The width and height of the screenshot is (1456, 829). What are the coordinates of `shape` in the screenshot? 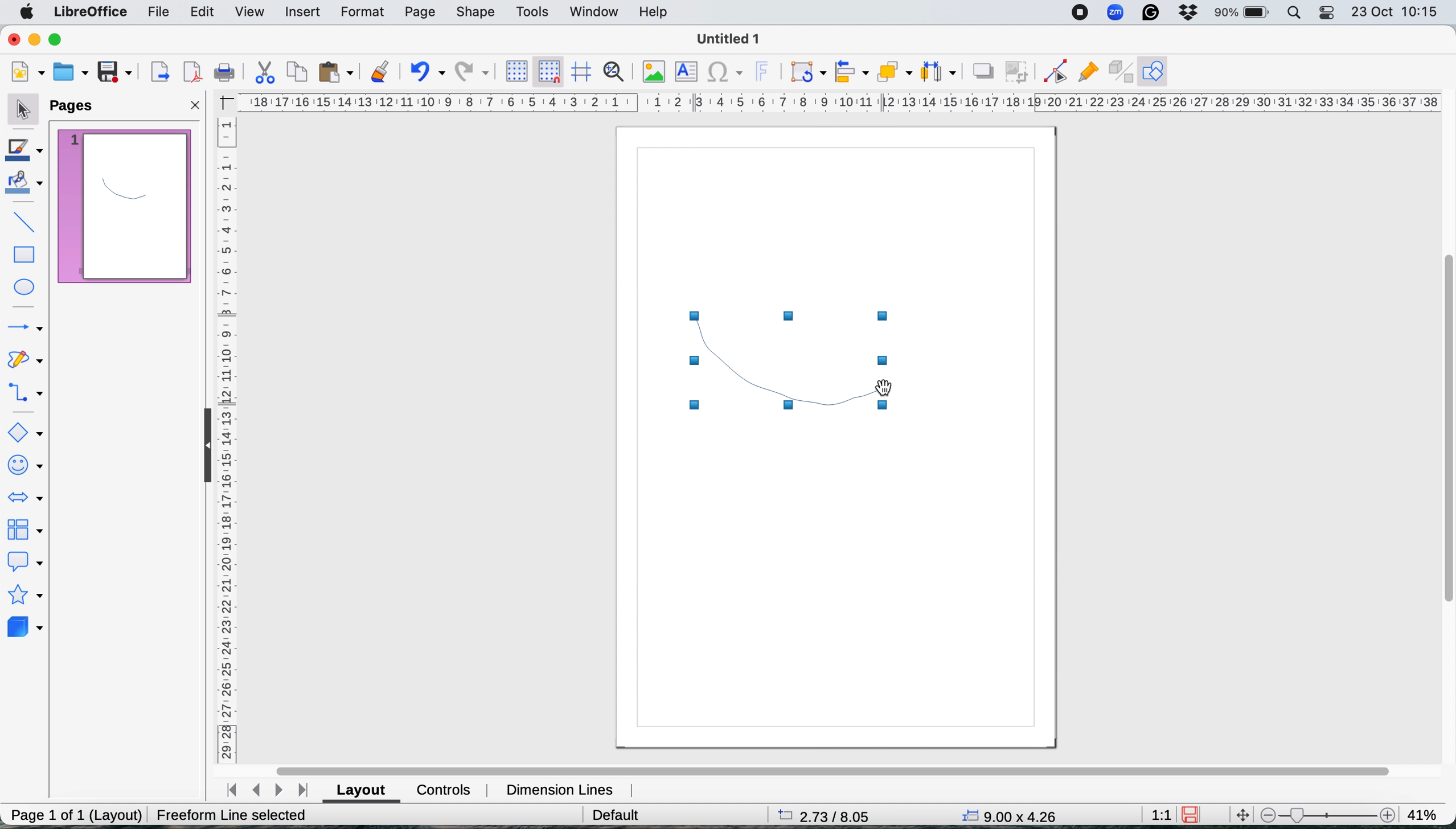 It's located at (477, 13).